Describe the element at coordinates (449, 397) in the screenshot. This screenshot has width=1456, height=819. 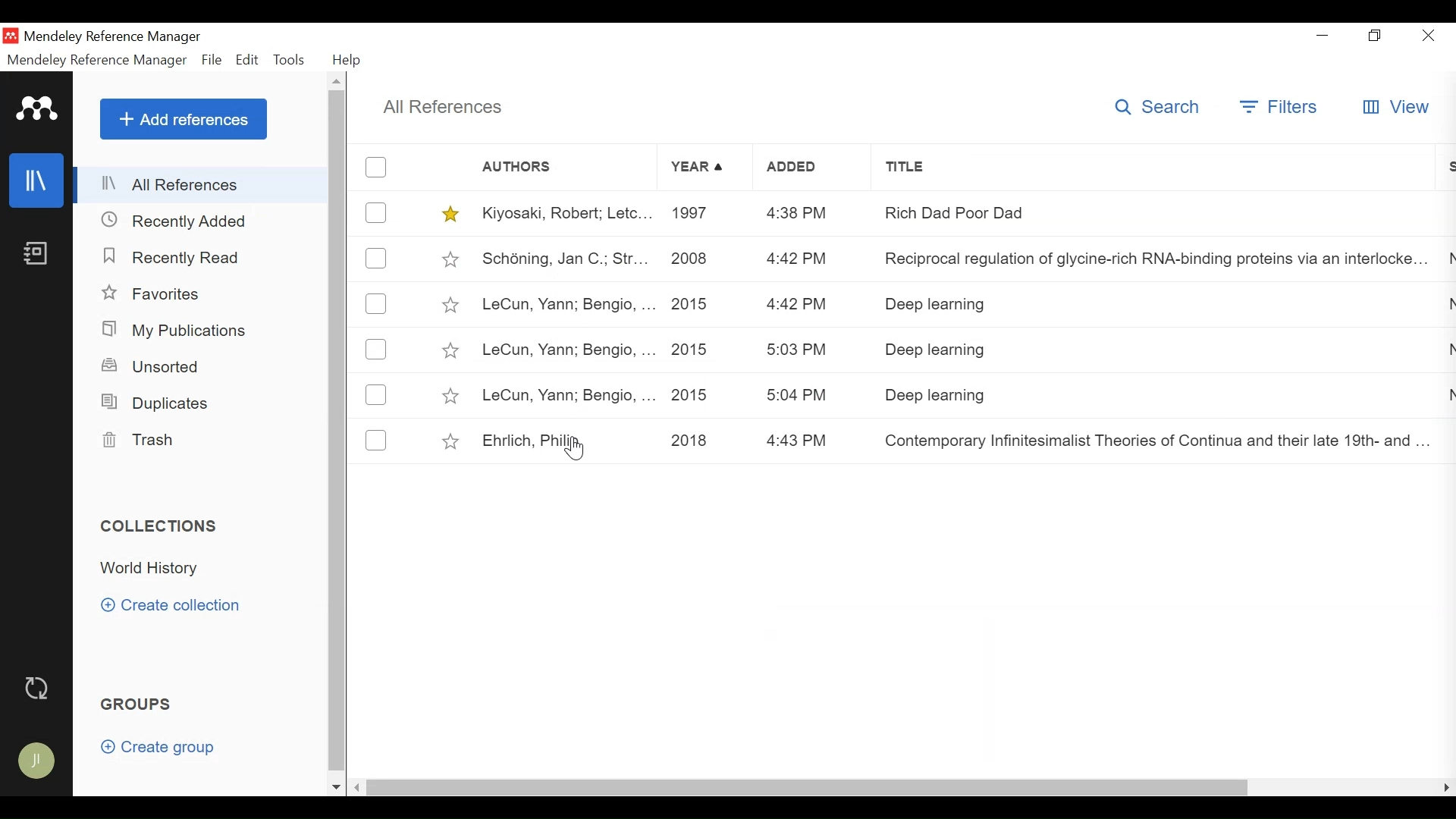
I see `(un)select favorite` at that location.